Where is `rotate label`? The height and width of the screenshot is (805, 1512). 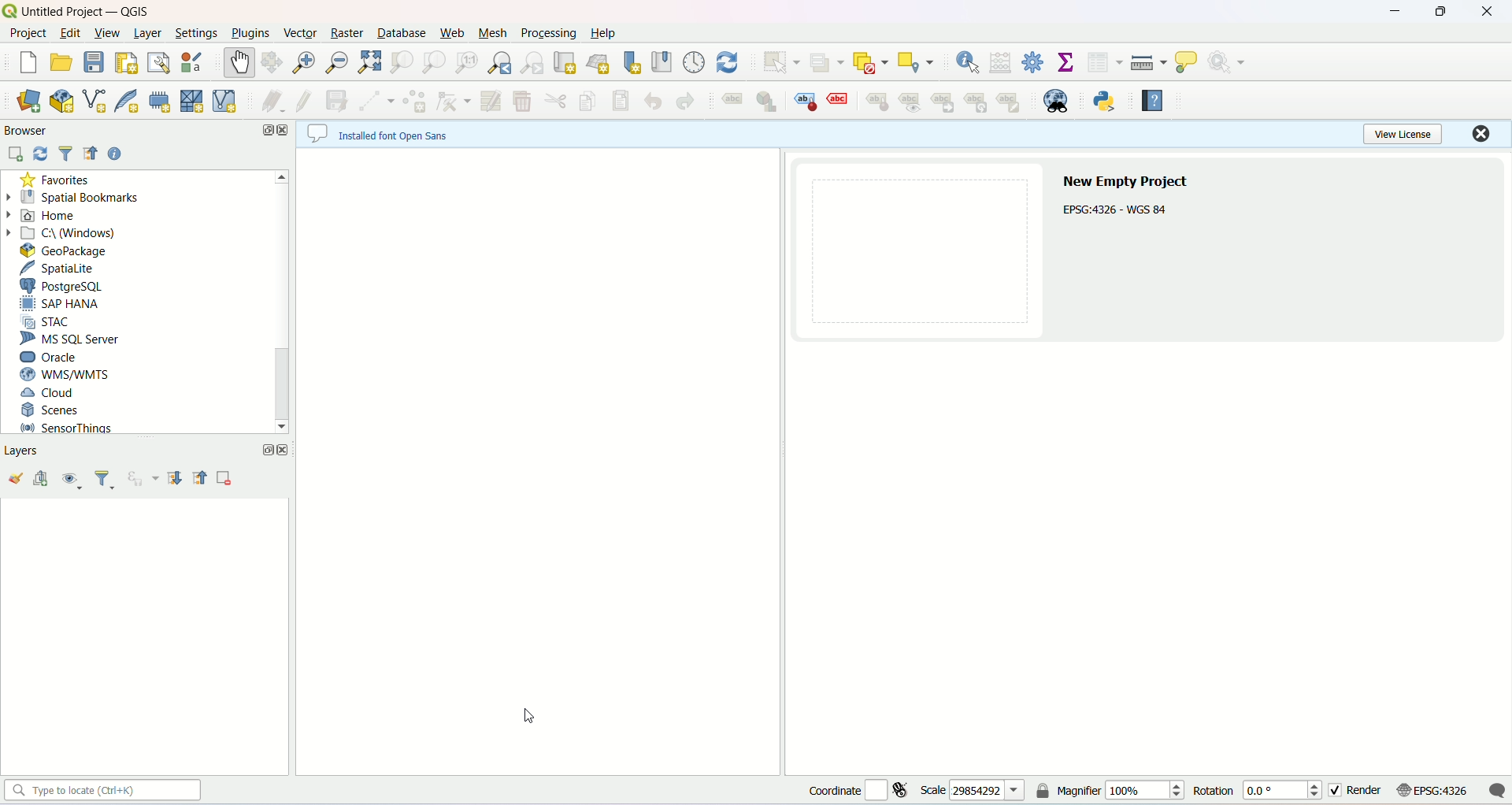
rotate label is located at coordinates (976, 102).